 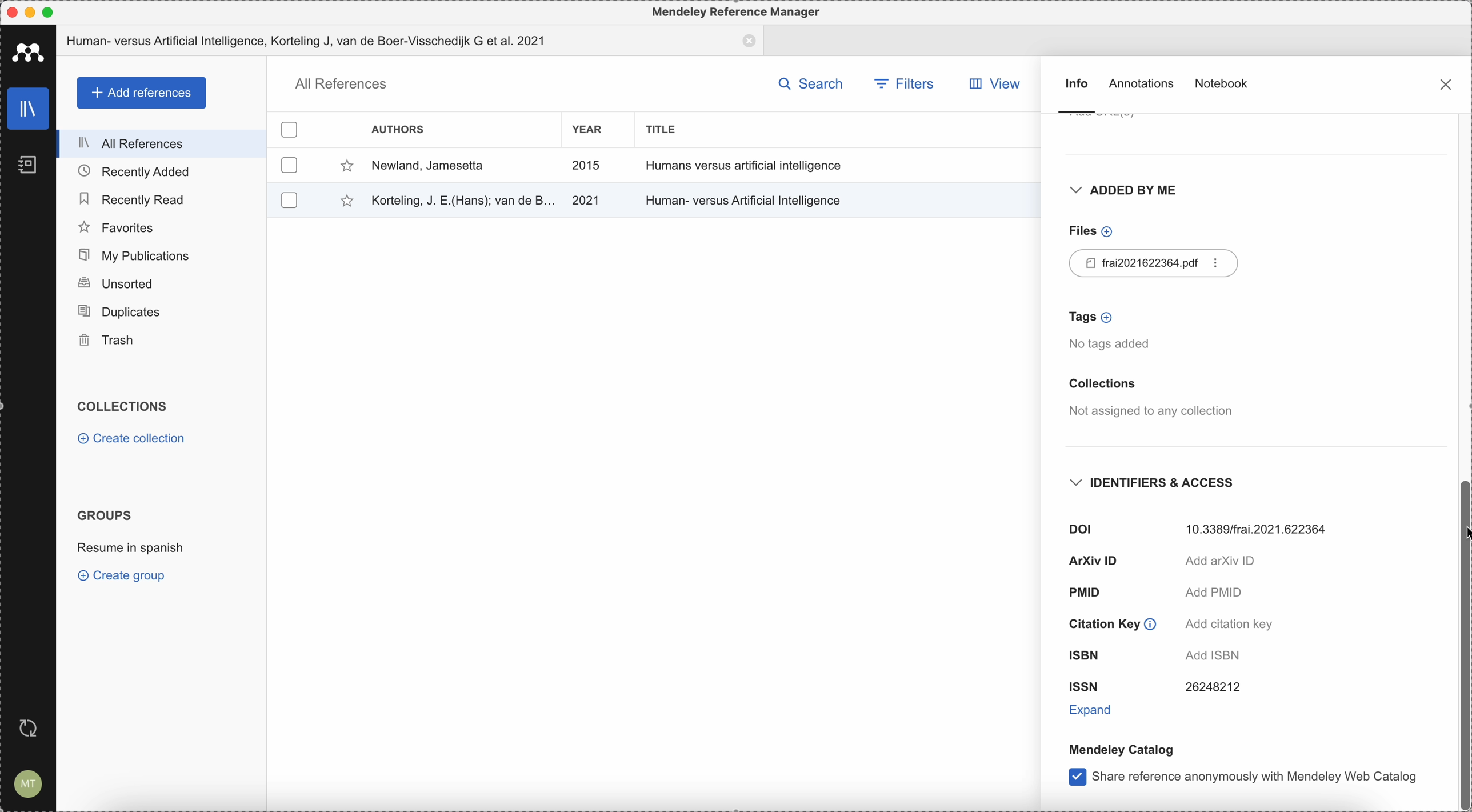 I want to click on search, so click(x=811, y=82).